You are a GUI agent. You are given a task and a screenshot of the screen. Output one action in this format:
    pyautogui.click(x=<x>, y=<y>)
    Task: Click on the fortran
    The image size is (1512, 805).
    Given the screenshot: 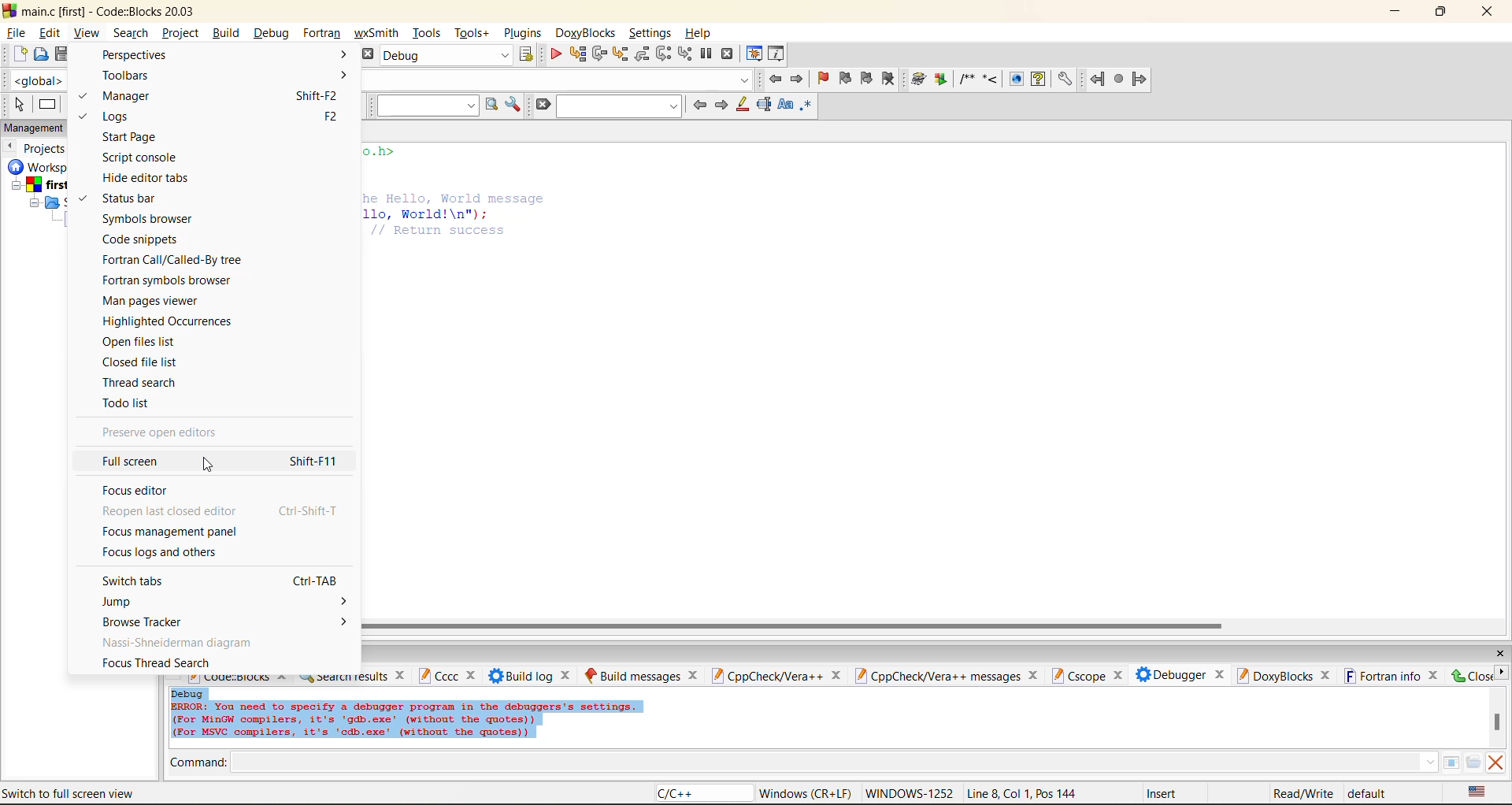 What is the action you would take?
    pyautogui.click(x=321, y=32)
    